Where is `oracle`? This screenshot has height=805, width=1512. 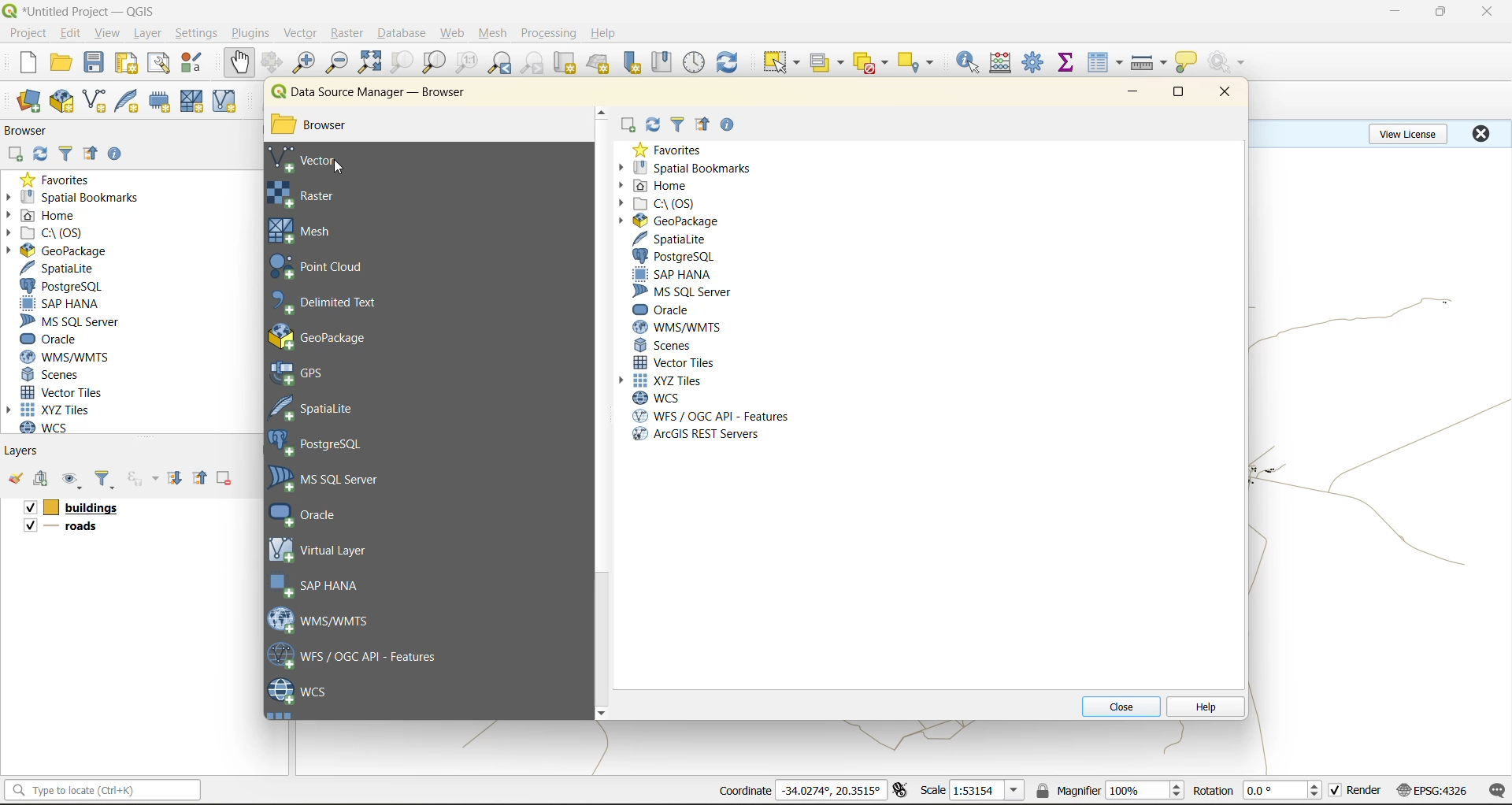 oracle is located at coordinates (55, 339).